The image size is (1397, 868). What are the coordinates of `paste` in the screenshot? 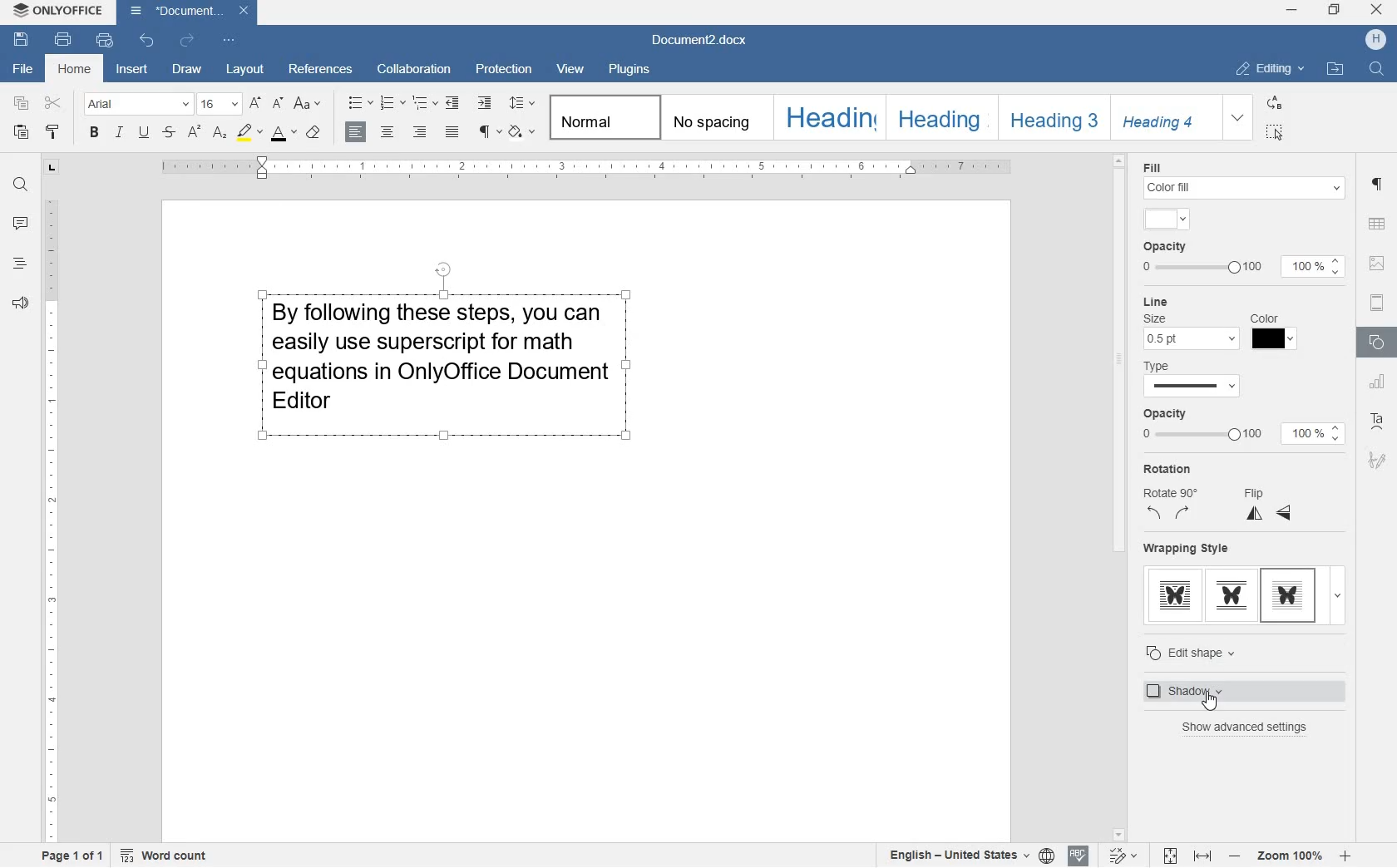 It's located at (22, 133).